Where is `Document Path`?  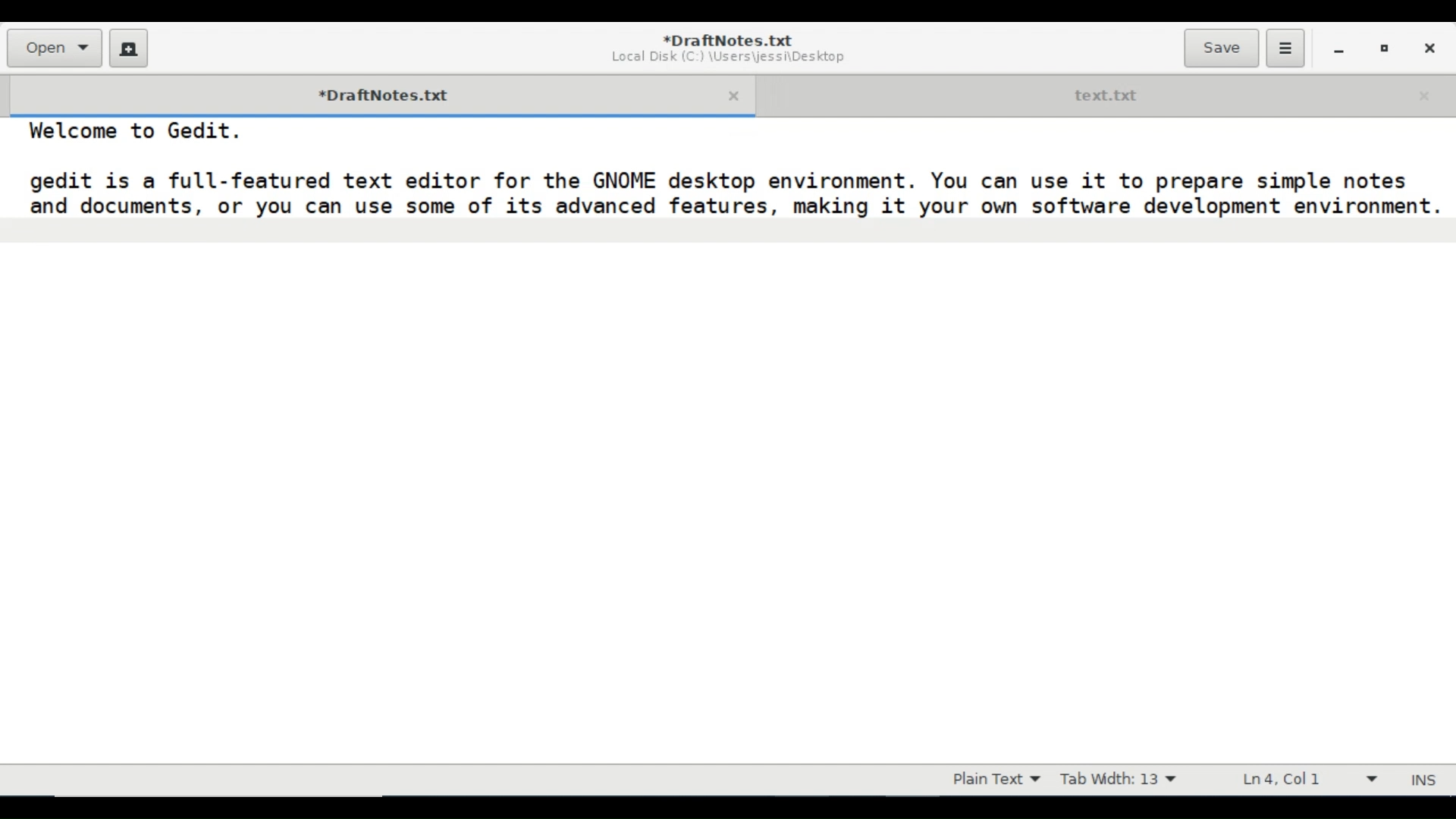
Document Path is located at coordinates (727, 58).